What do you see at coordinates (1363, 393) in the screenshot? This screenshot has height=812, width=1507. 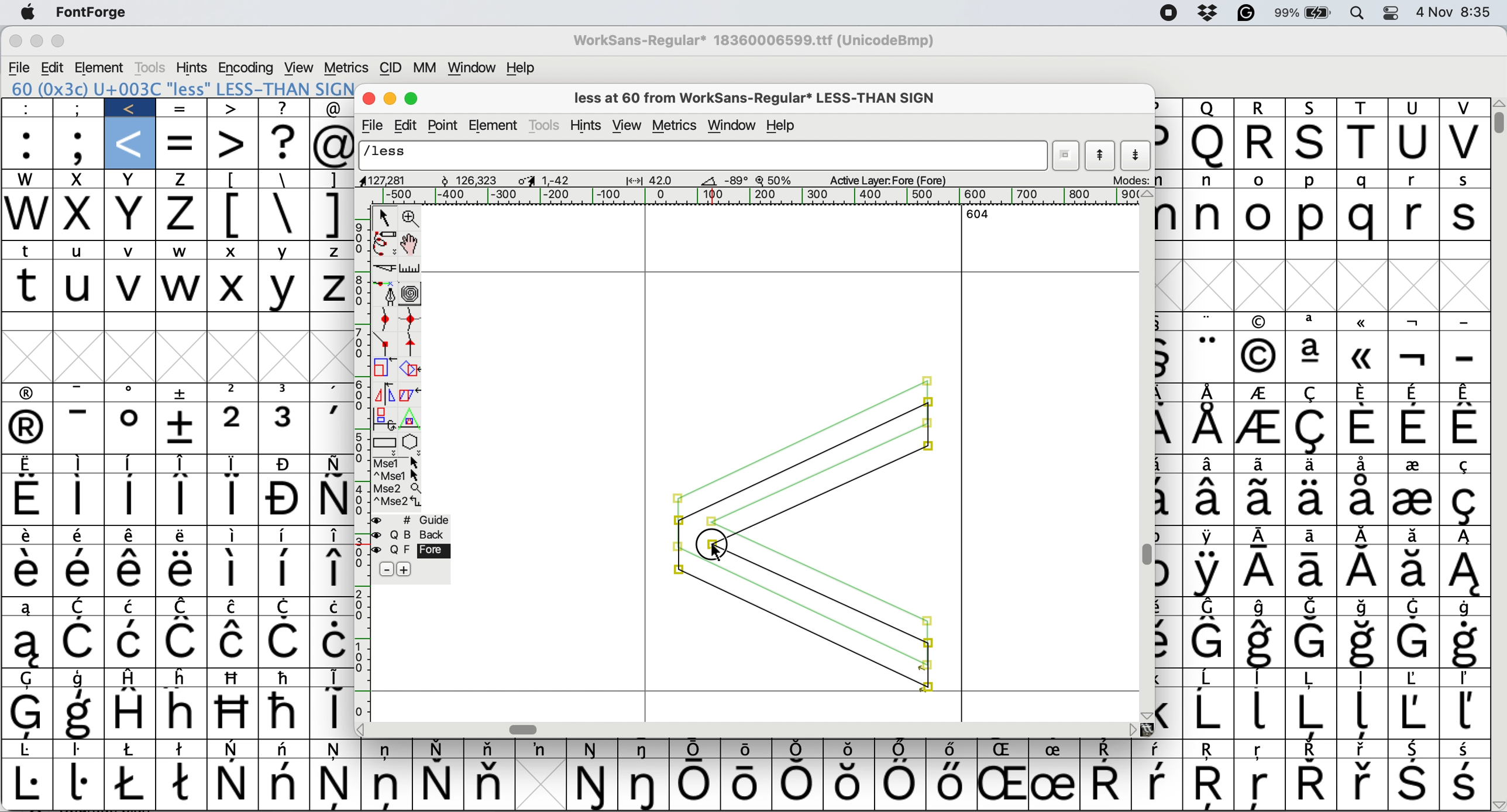 I see `Symbol` at bounding box center [1363, 393].